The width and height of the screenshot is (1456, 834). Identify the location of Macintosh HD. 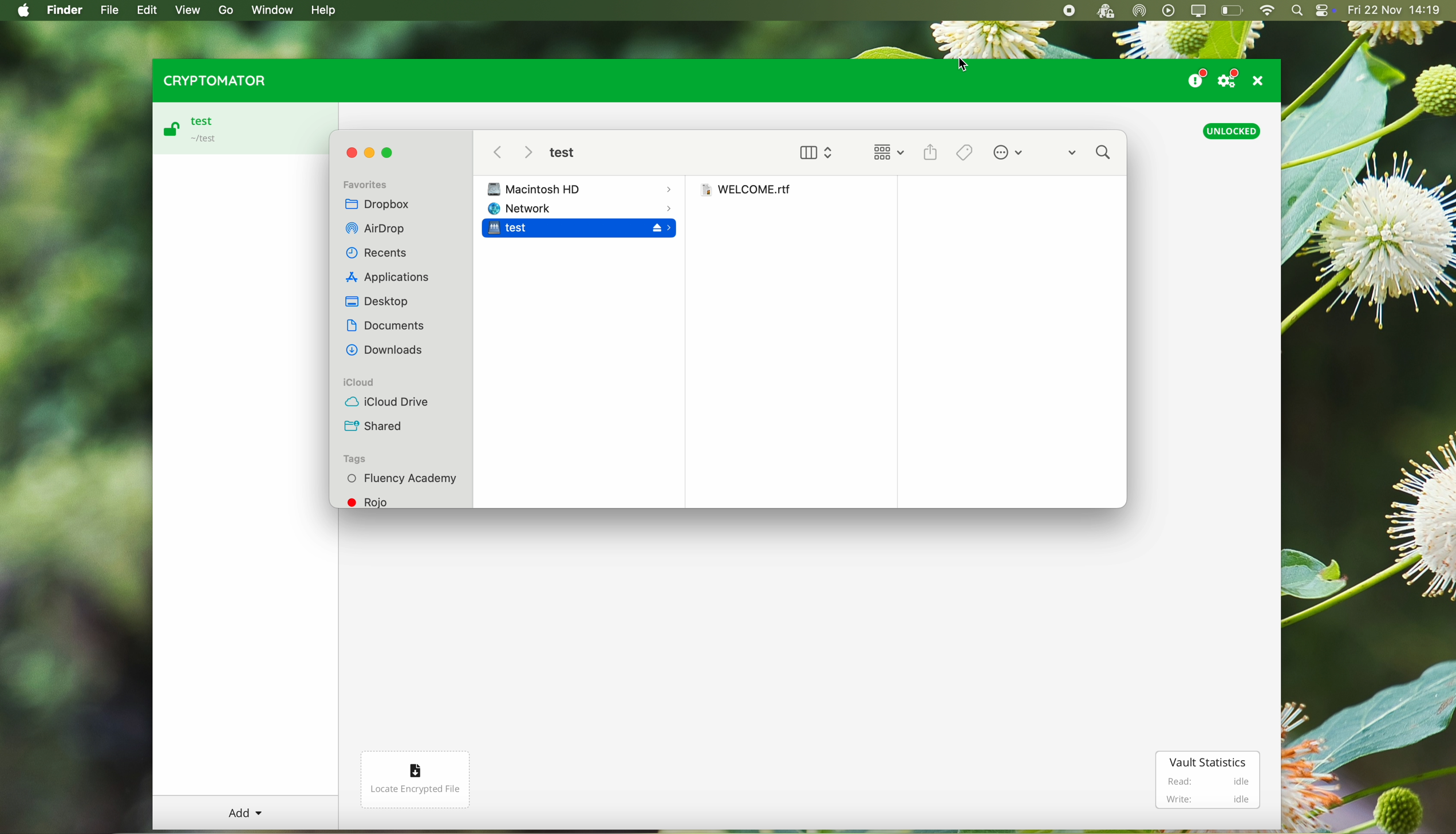
(581, 187).